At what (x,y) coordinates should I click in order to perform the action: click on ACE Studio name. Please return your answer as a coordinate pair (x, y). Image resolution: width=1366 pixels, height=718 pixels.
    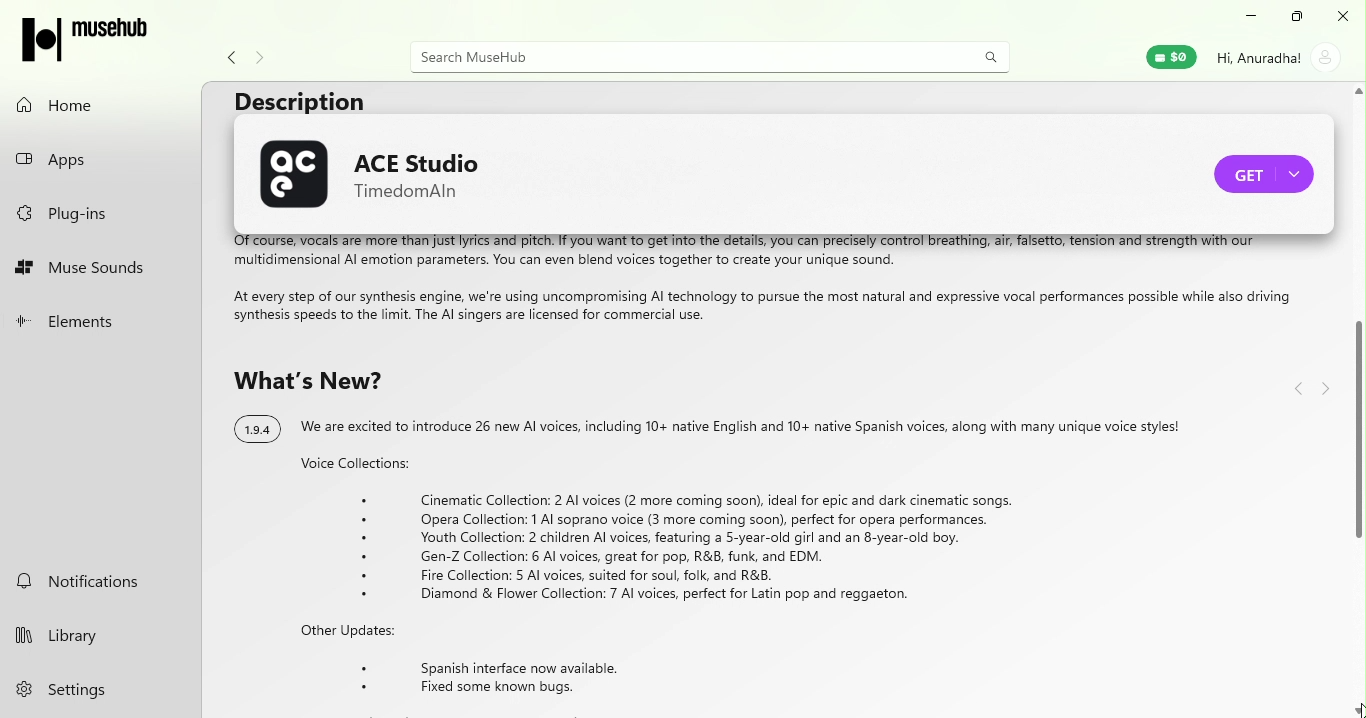
    Looking at the image, I should click on (426, 171).